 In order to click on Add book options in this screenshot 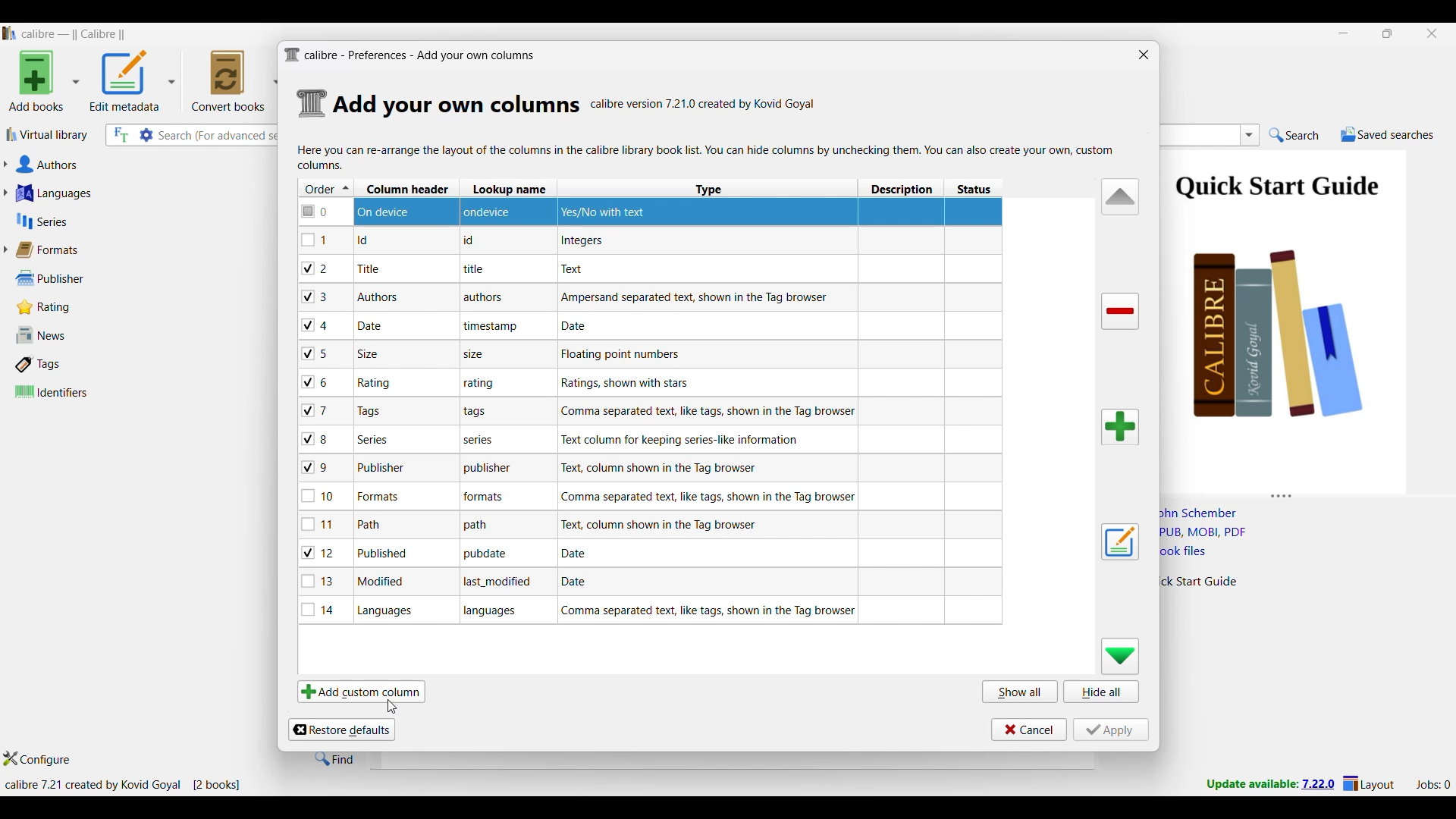, I will do `click(45, 80)`.